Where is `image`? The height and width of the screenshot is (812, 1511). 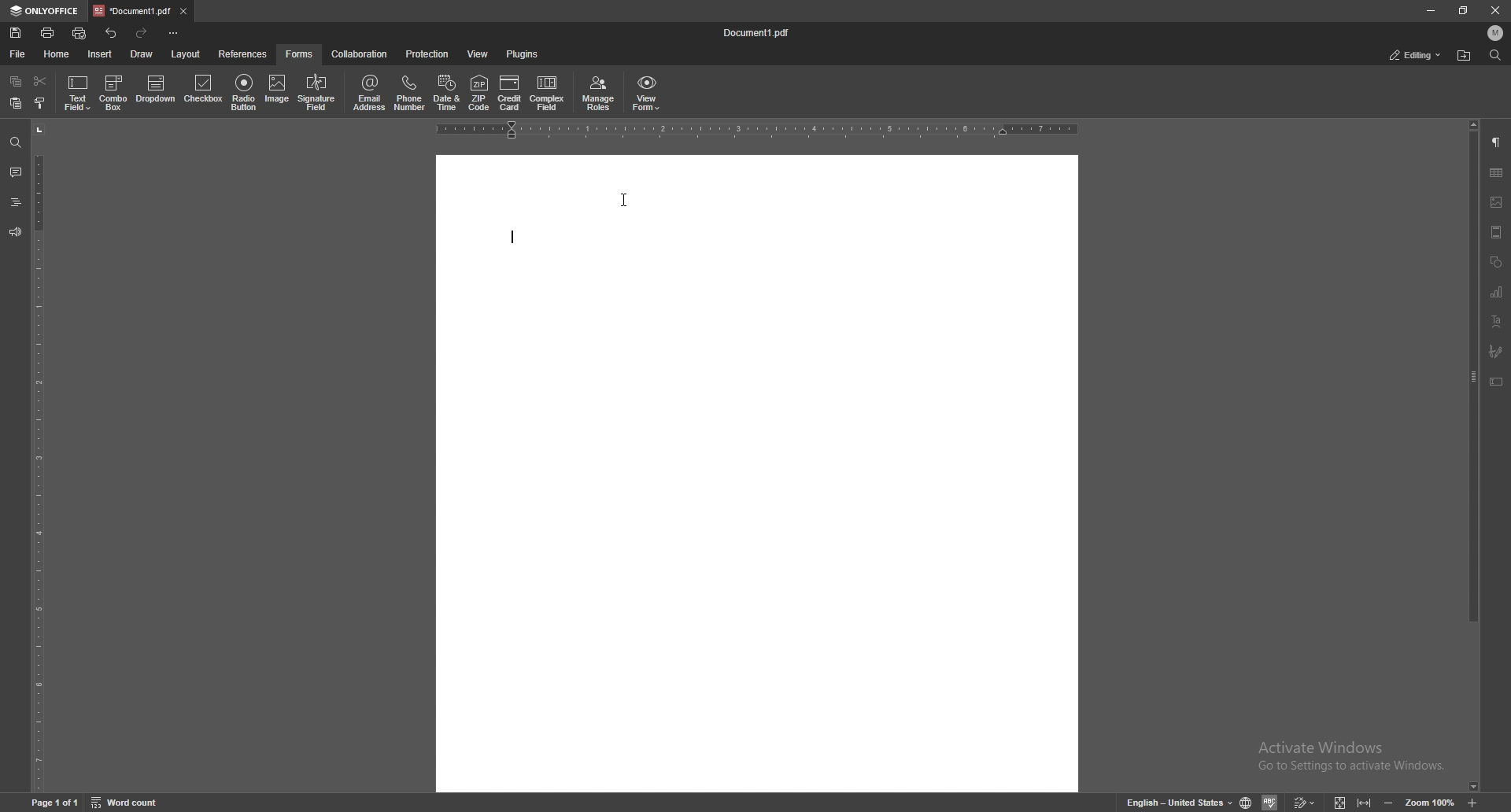 image is located at coordinates (1497, 203).